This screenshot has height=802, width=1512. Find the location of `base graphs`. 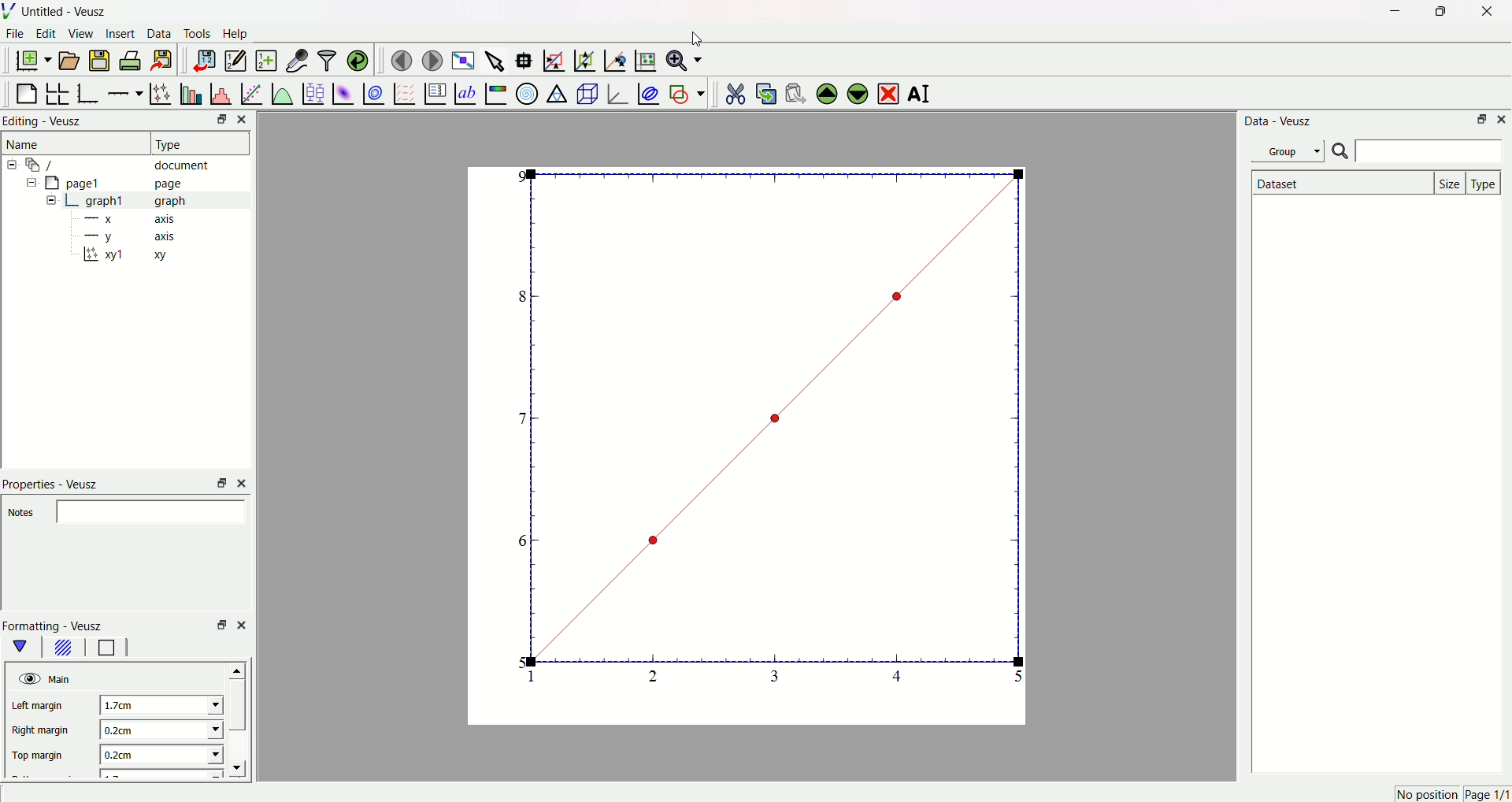

base graphs is located at coordinates (90, 91).